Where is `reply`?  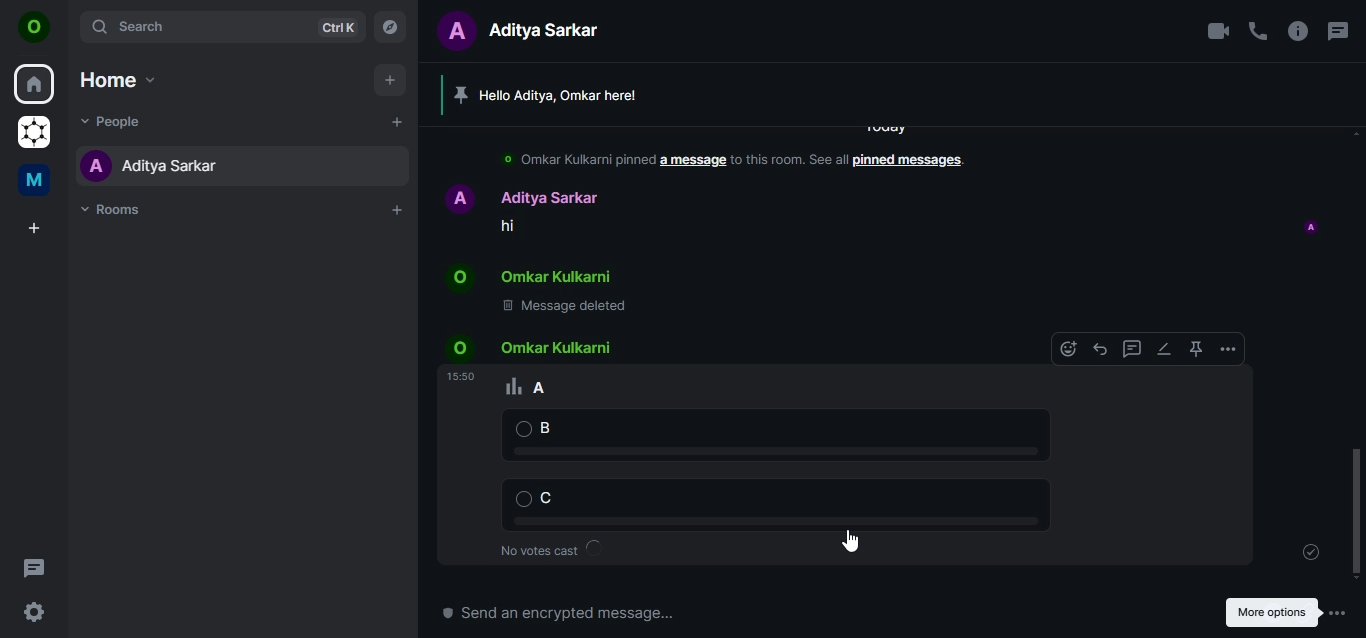 reply is located at coordinates (1098, 349).